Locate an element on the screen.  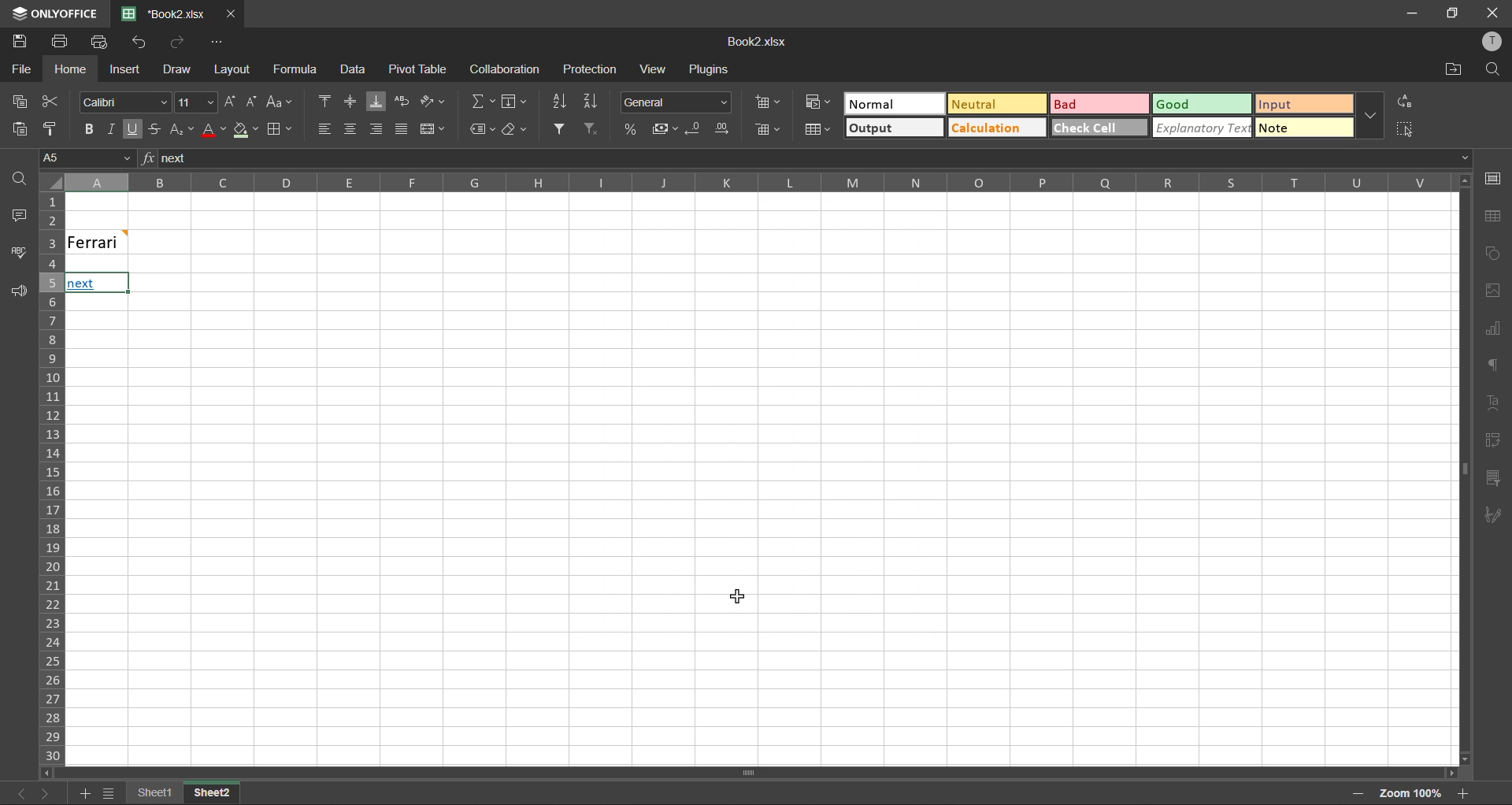
insert is located at coordinates (122, 69).